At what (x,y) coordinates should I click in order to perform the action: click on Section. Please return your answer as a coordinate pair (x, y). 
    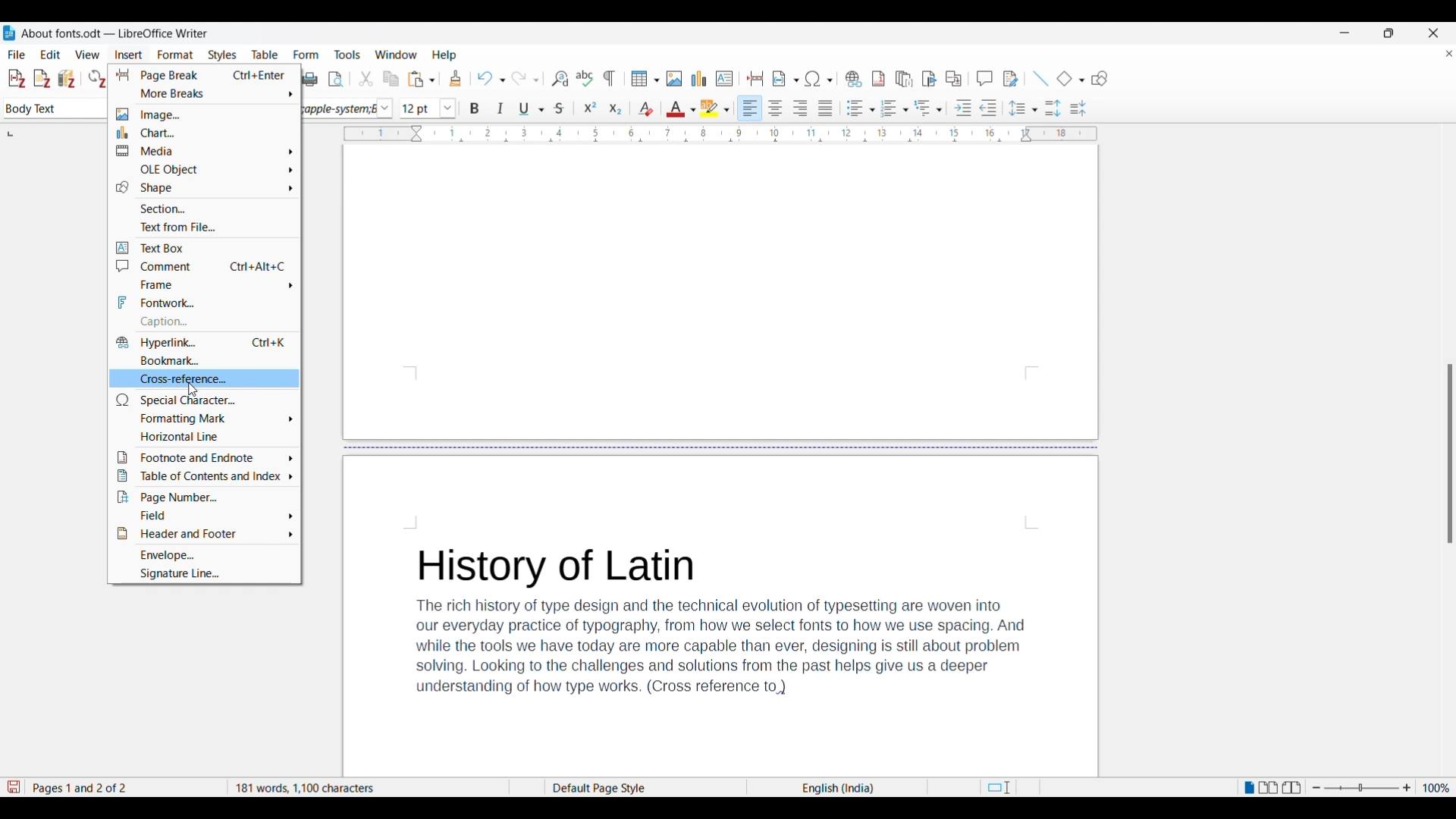
    Looking at the image, I should click on (204, 209).